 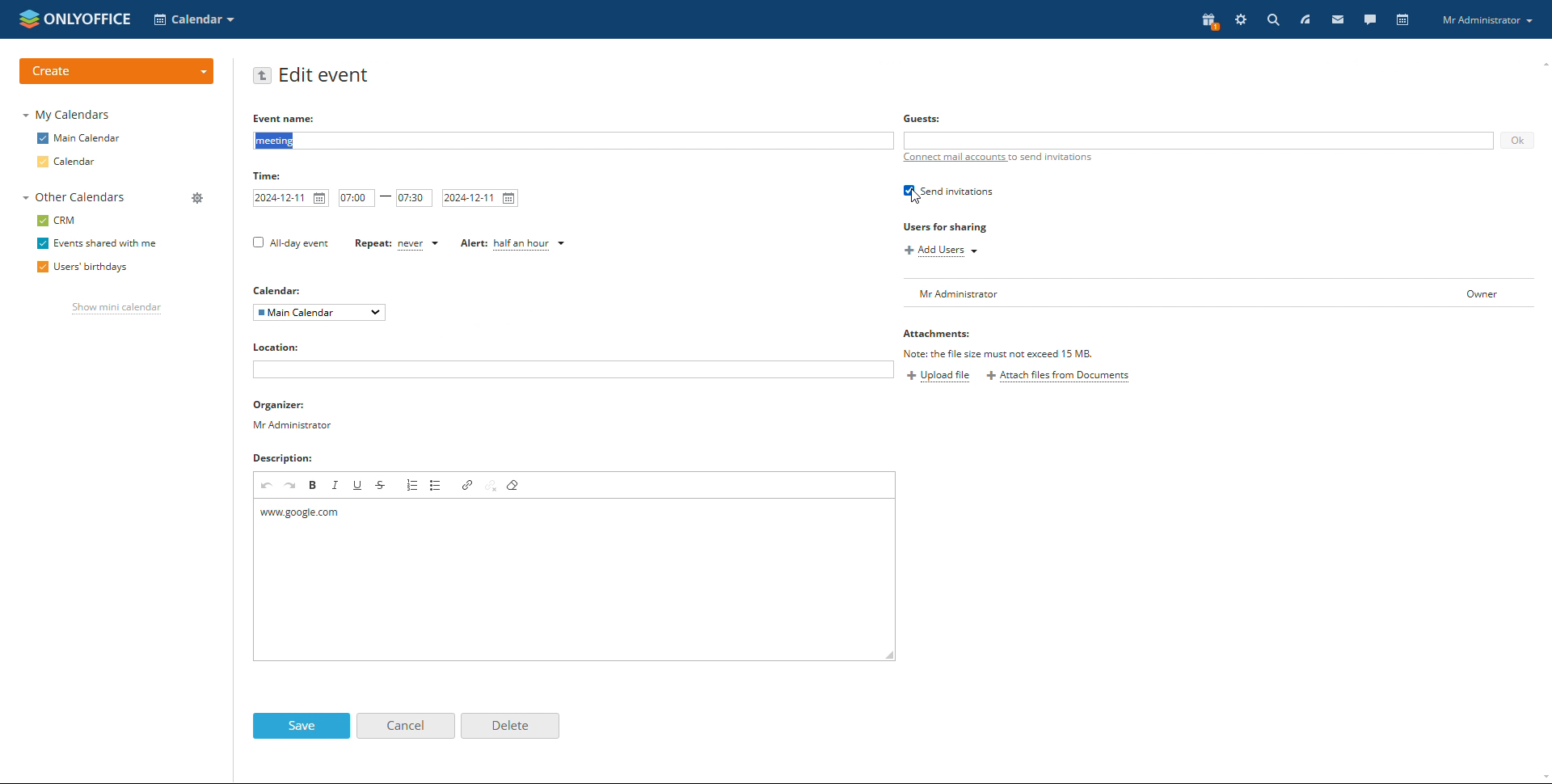 What do you see at coordinates (359, 485) in the screenshot?
I see `underline` at bounding box center [359, 485].